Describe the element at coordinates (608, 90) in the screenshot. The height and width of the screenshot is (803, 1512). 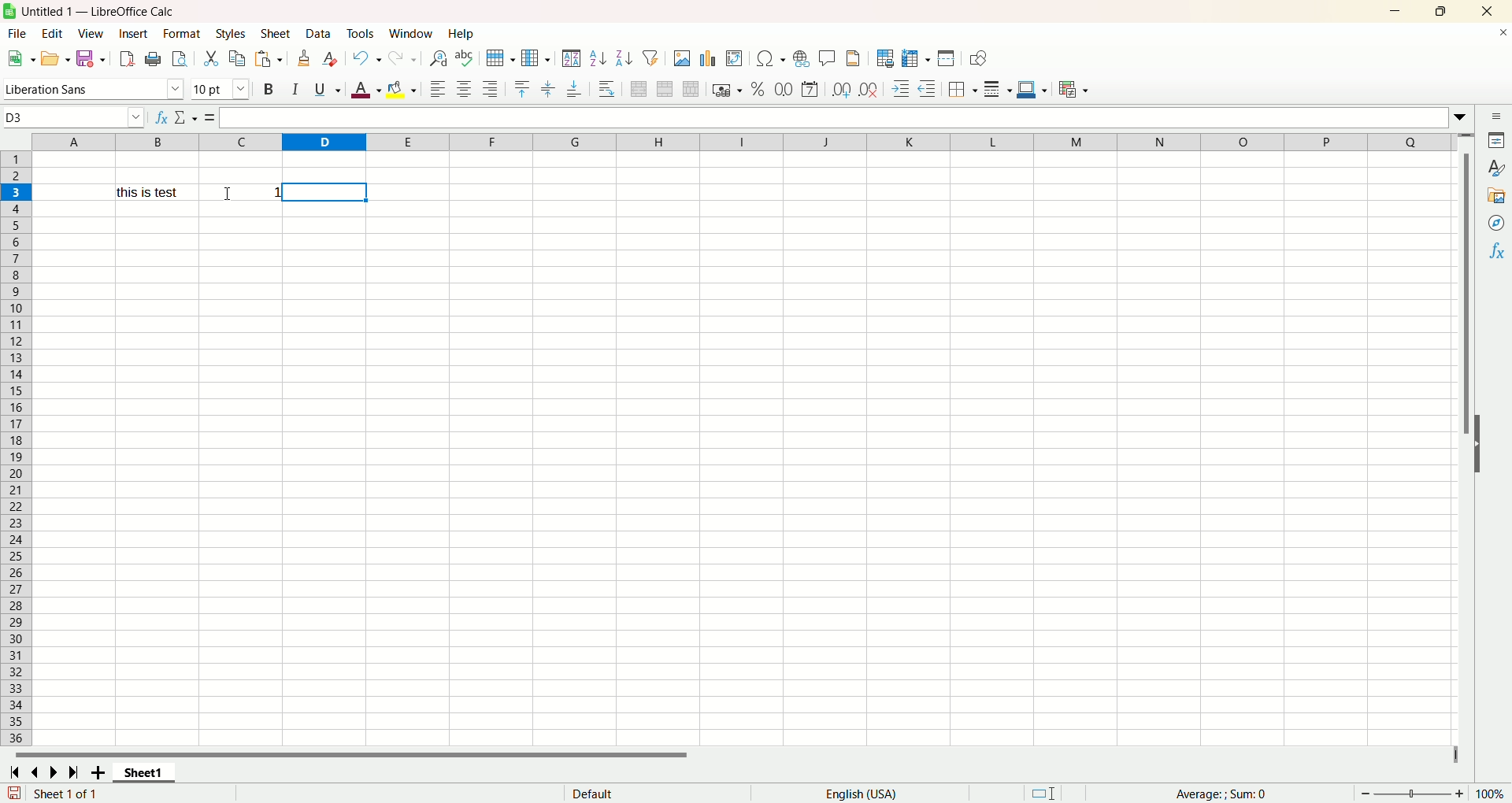
I see `wrap text` at that location.